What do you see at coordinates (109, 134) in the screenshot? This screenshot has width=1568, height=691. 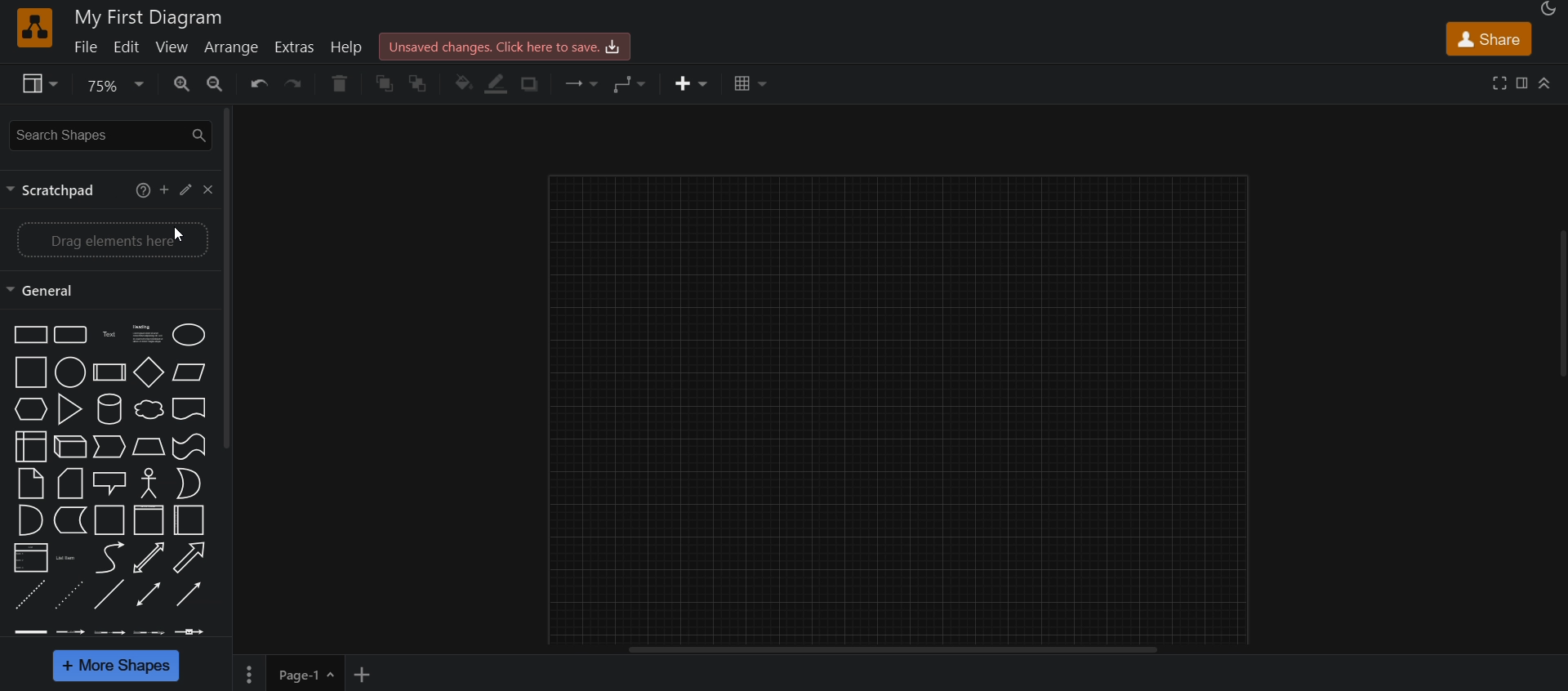 I see `search shapes` at bounding box center [109, 134].